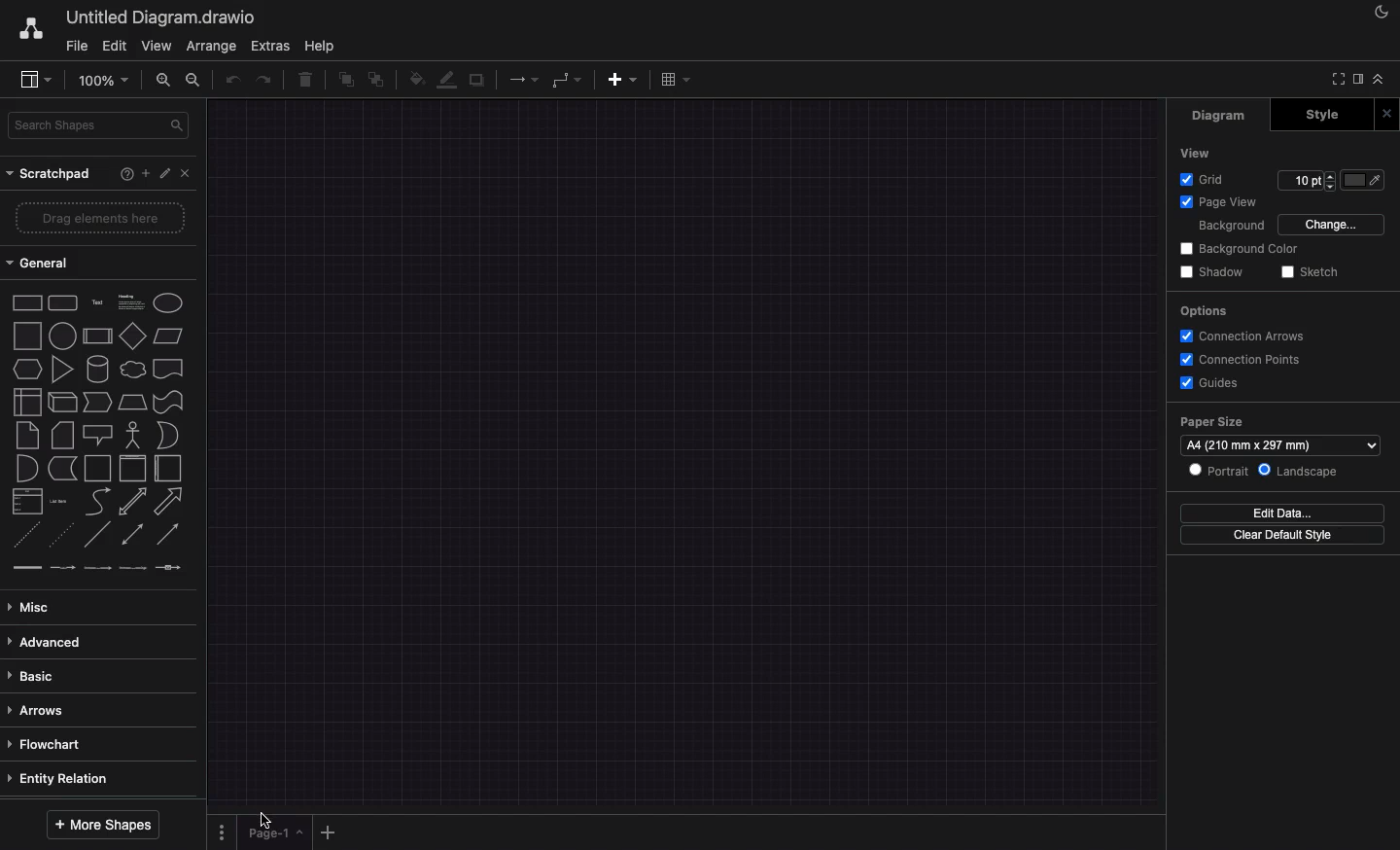  What do you see at coordinates (686, 453) in the screenshot?
I see `canvas` at bounding box center [686, 453].